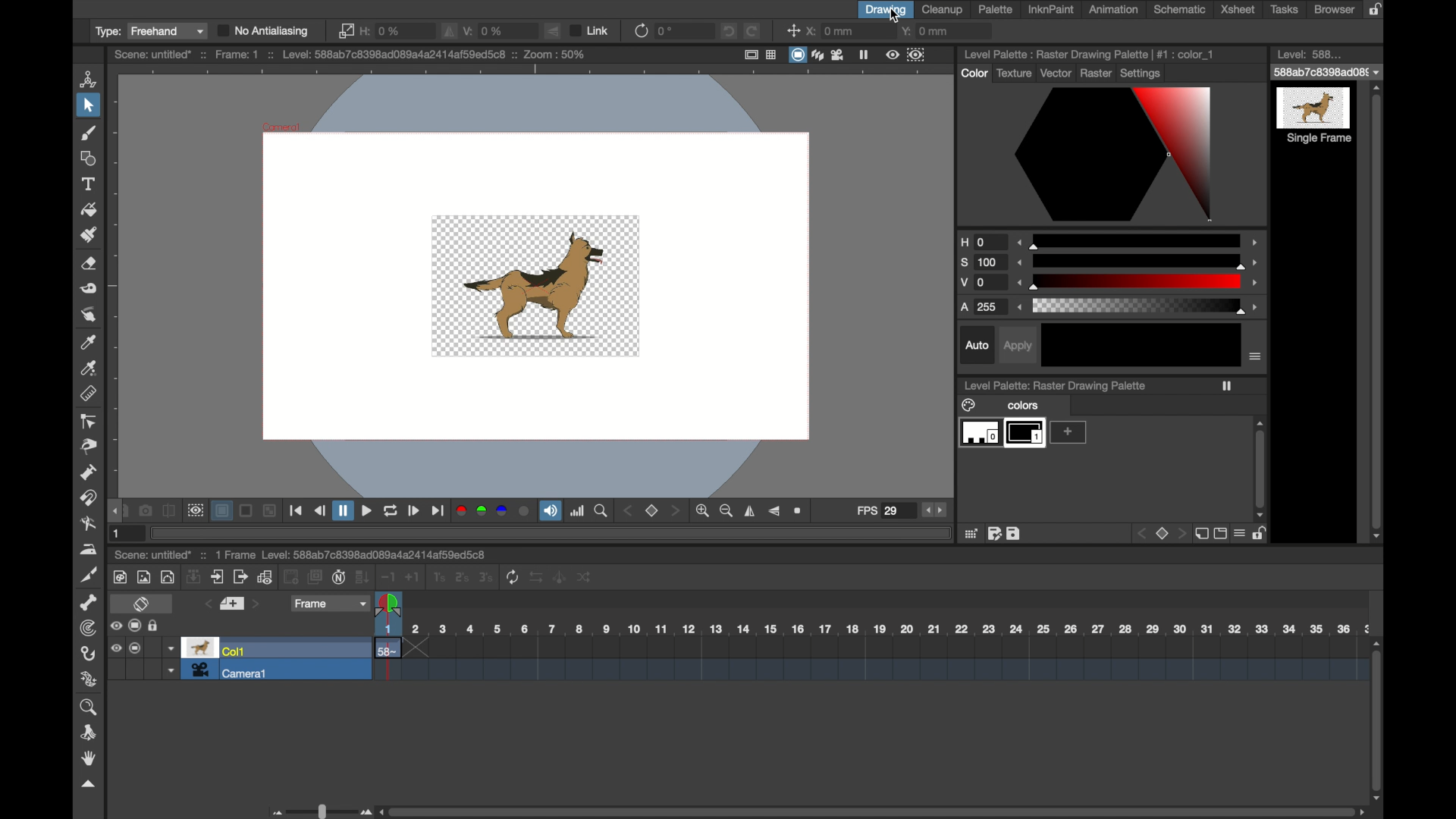  I want to click on col1, so click(234, 650).